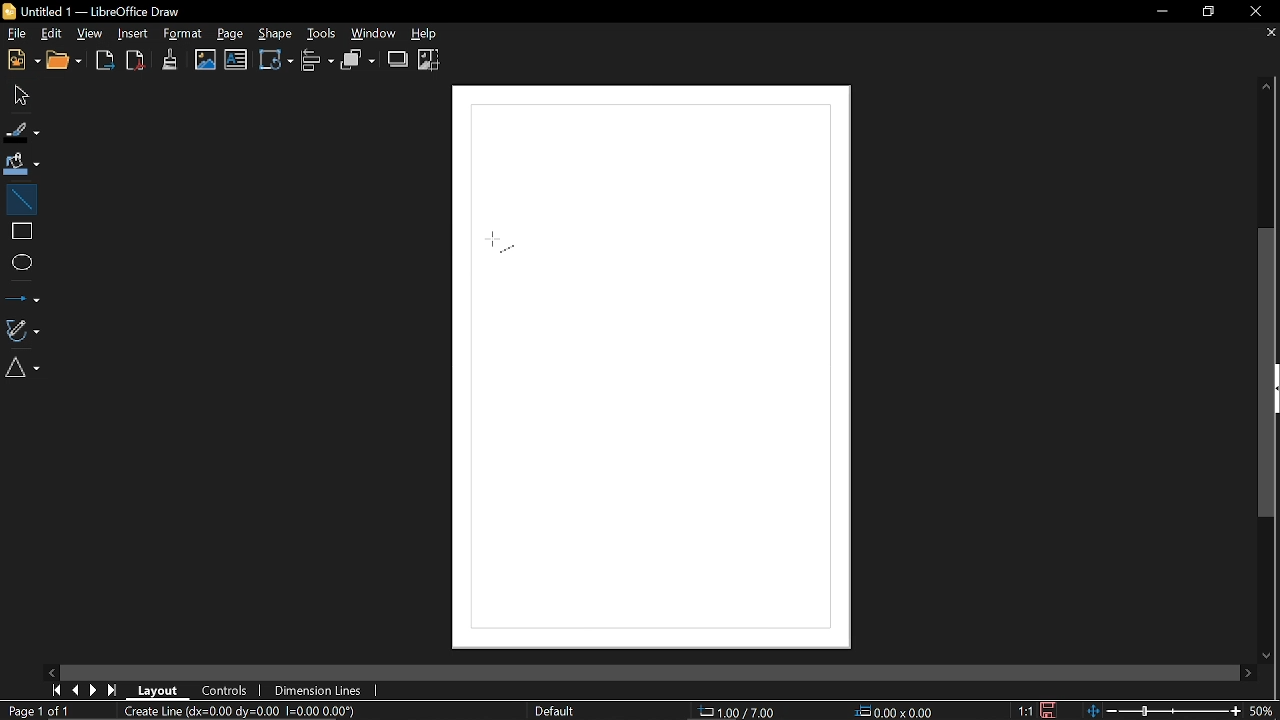  Describe the element at coordinates (1264, 711) in the screenshot. I see `Current zoom` at that location.